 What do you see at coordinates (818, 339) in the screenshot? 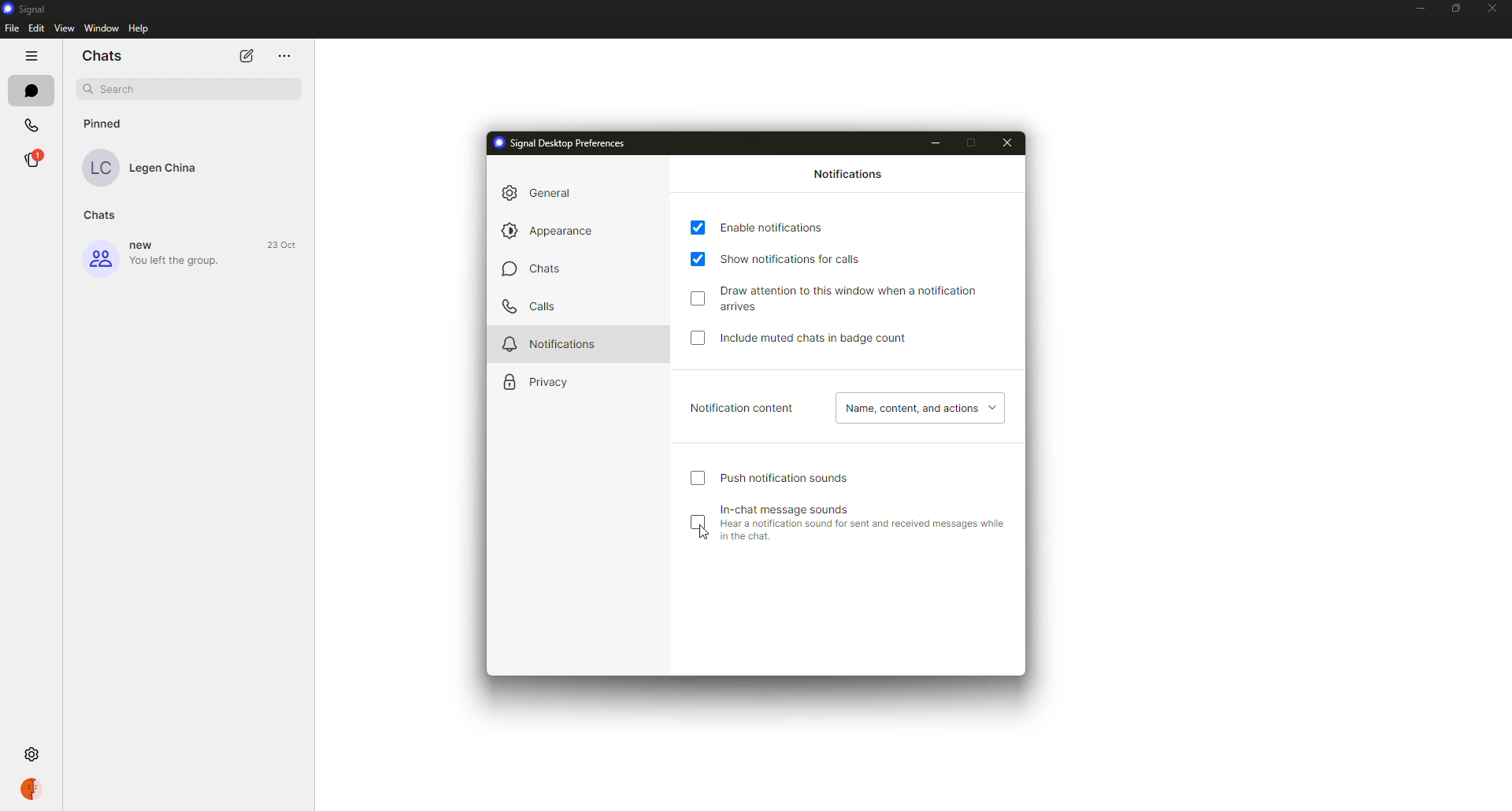
I see `include muted chats in badge count` at bounding box center [818, 339].